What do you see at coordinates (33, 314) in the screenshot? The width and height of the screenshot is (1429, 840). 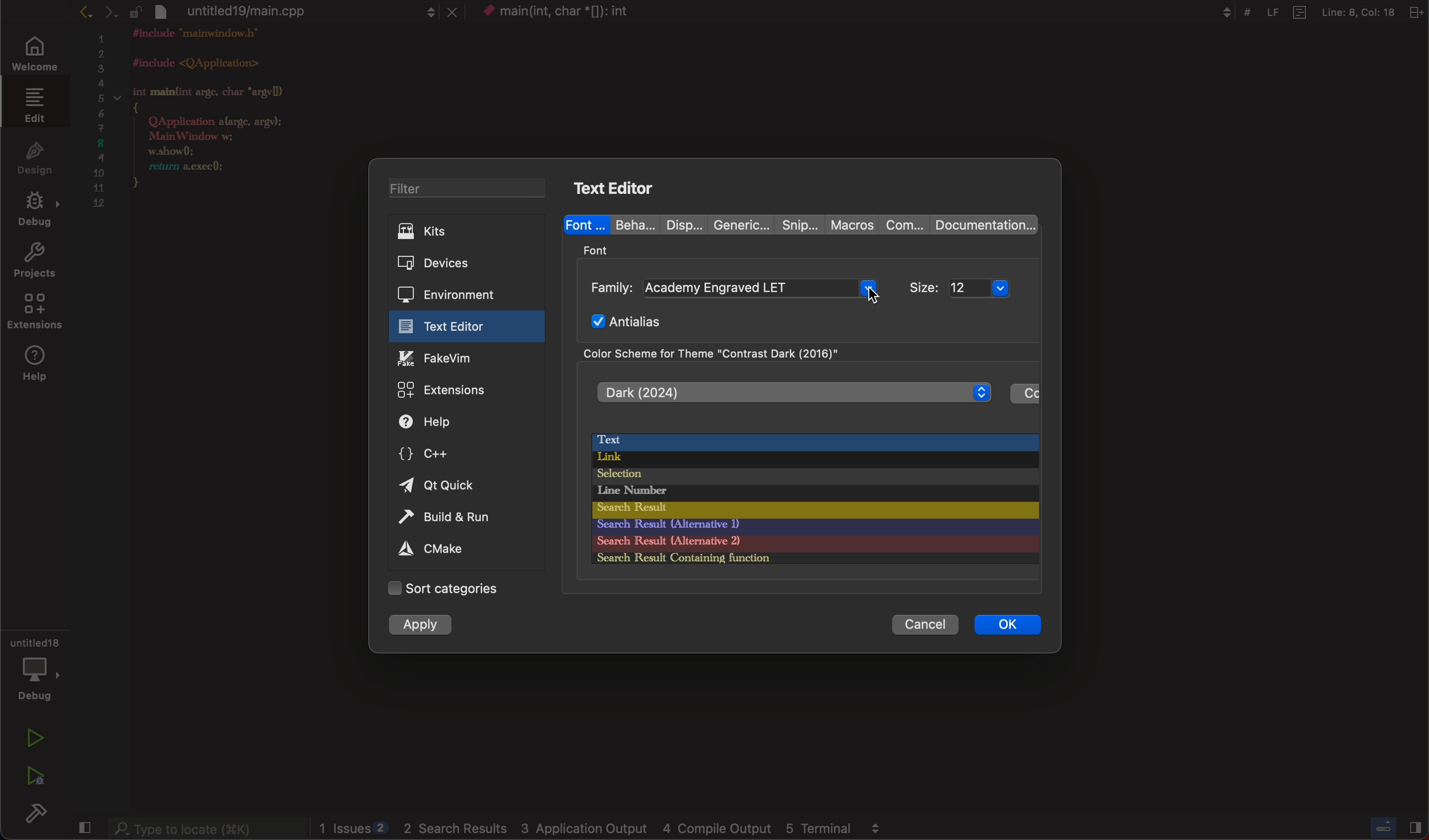 I see `extensions` at bounding box center [33, 314].